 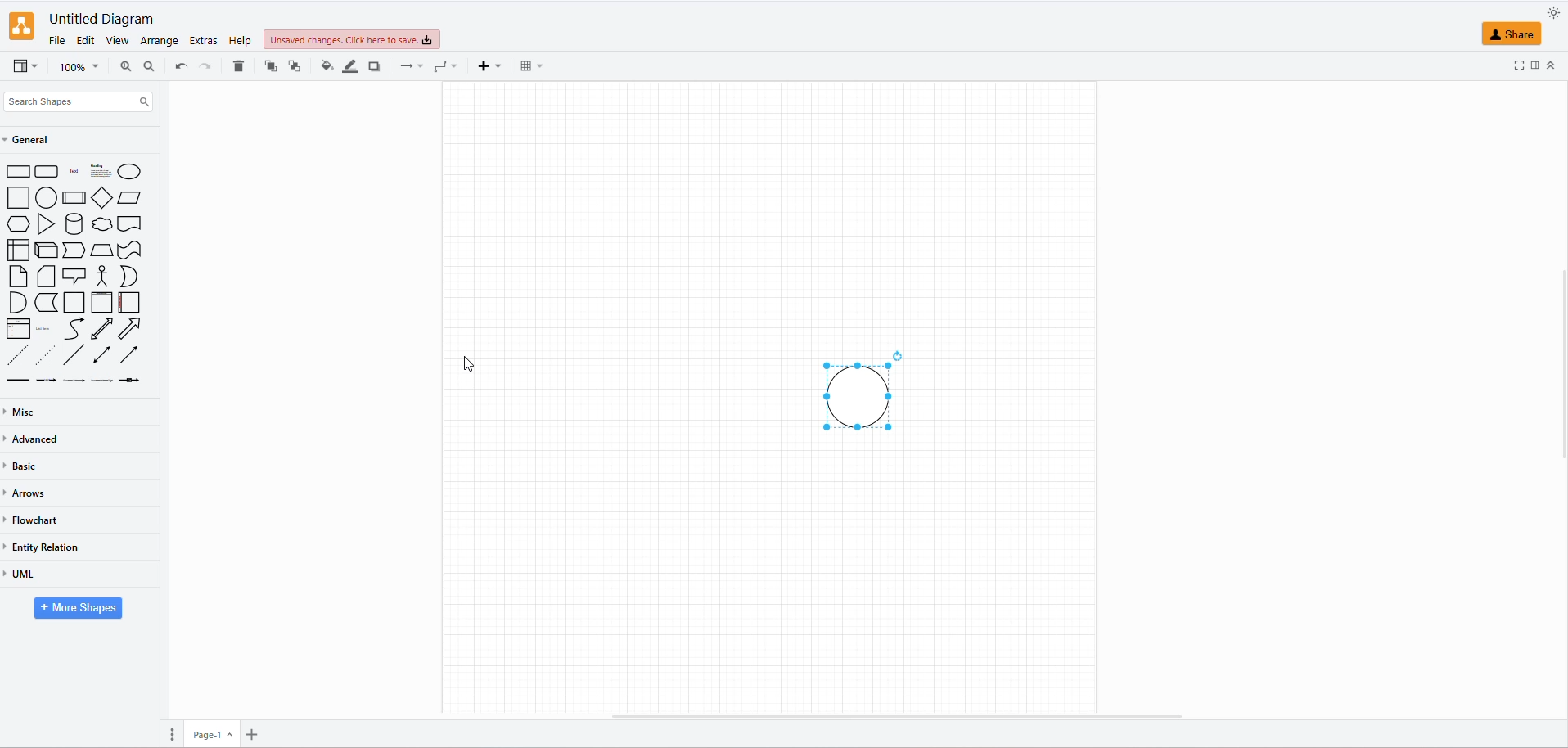 What do you see at coordinates (29, 495) in the screenshot?
I see `ARROWS` at bounding box center [29, 495].